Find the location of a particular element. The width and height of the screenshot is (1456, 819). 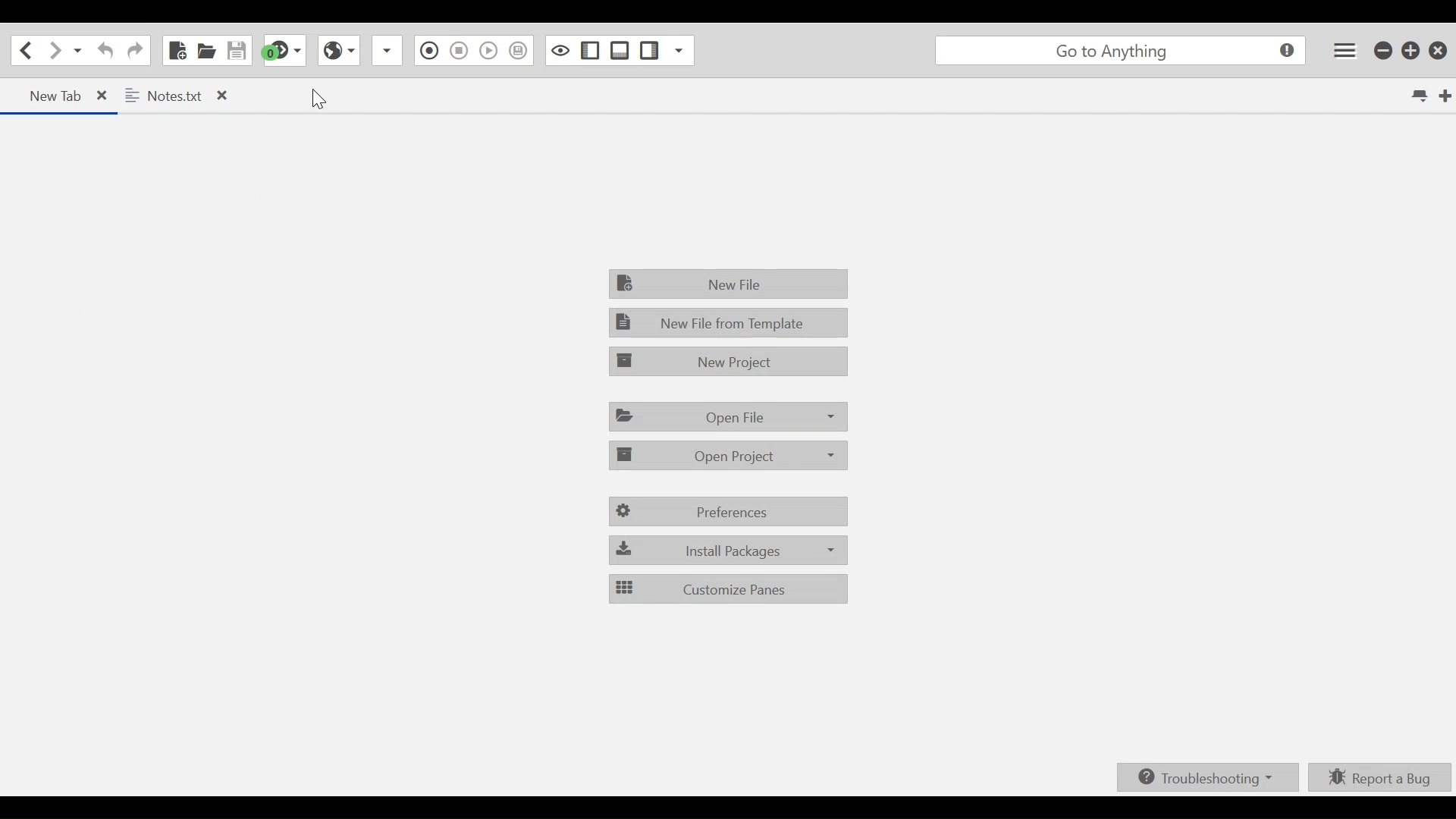

minimize is located at coordinates (1382, 49).